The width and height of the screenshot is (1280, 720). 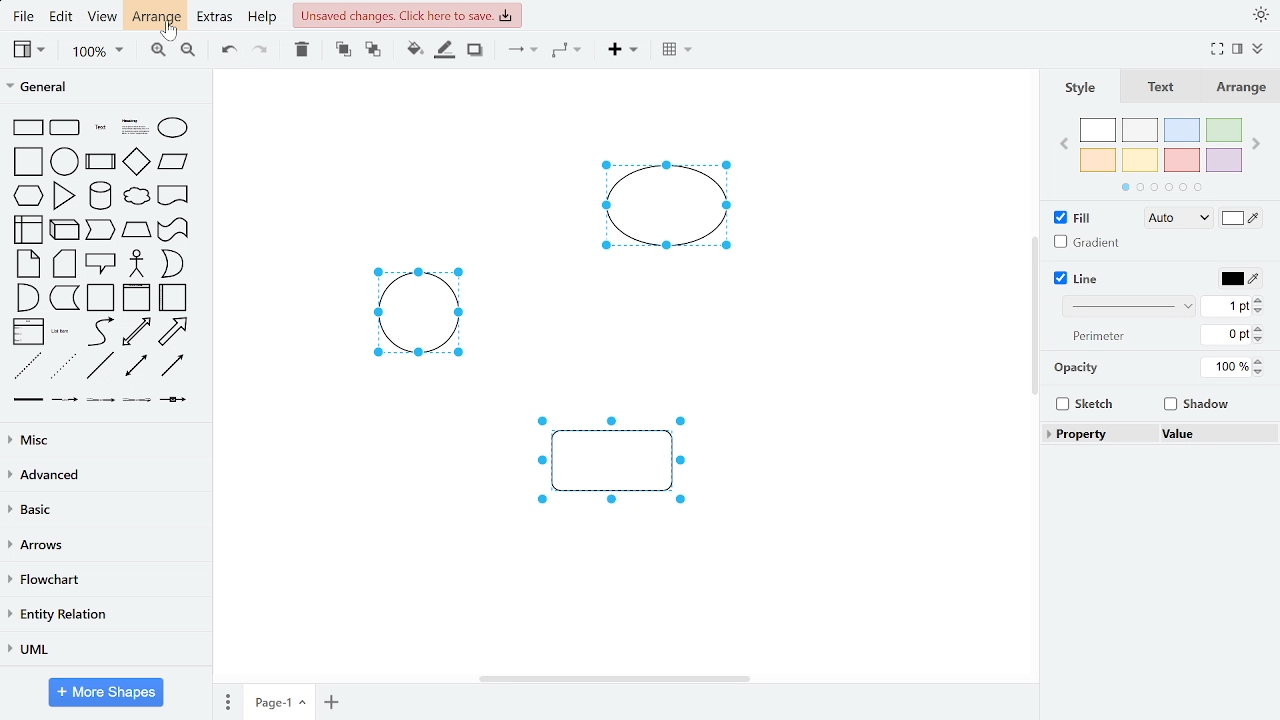 What do you see at coordinates (174, 367) in the screenshot?
I see `directional connector` at bounding box center [174, 367].